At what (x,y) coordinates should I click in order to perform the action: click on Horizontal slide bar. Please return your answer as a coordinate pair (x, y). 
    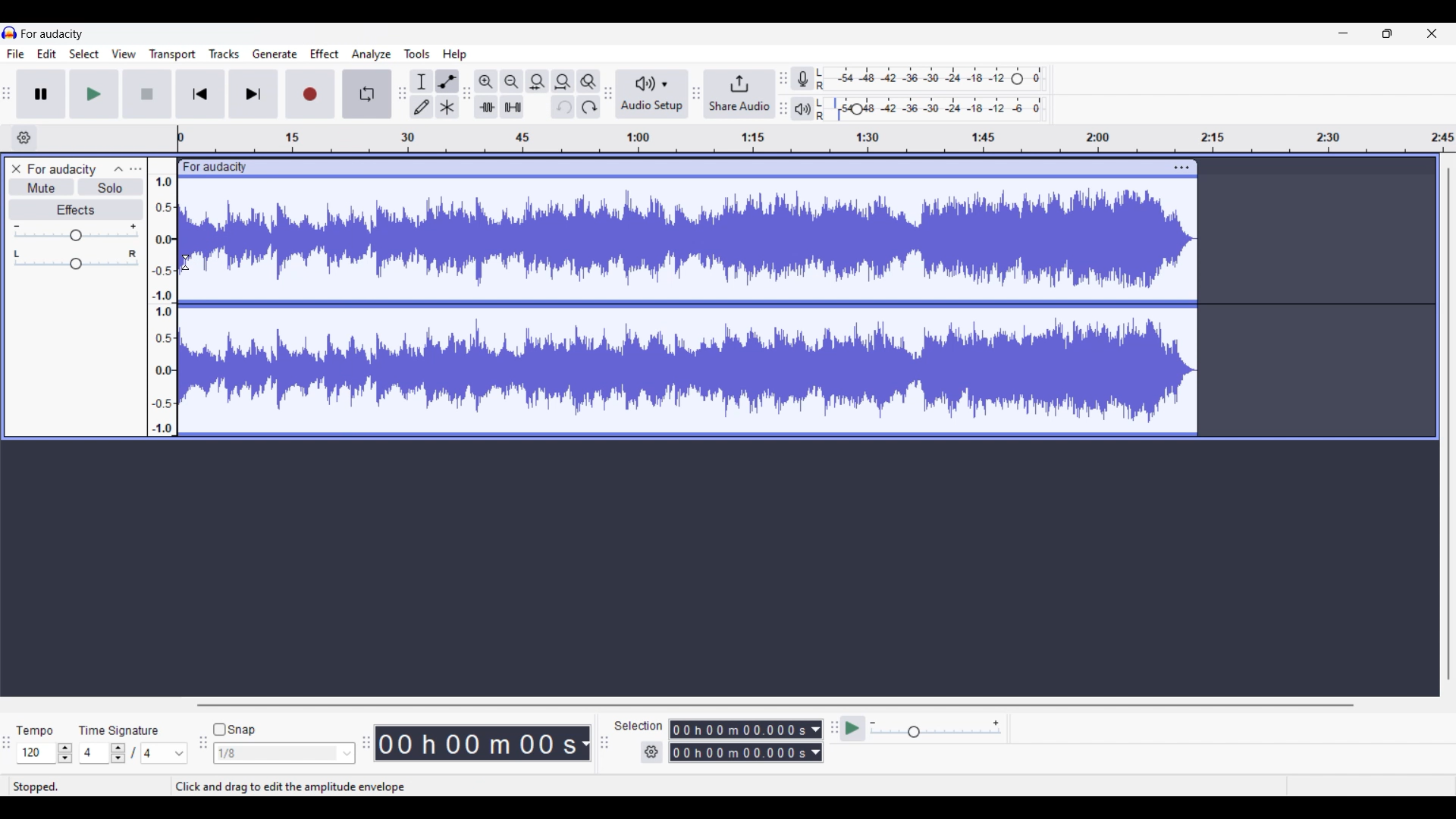
    Looking at the image, I should click on (774, 705).